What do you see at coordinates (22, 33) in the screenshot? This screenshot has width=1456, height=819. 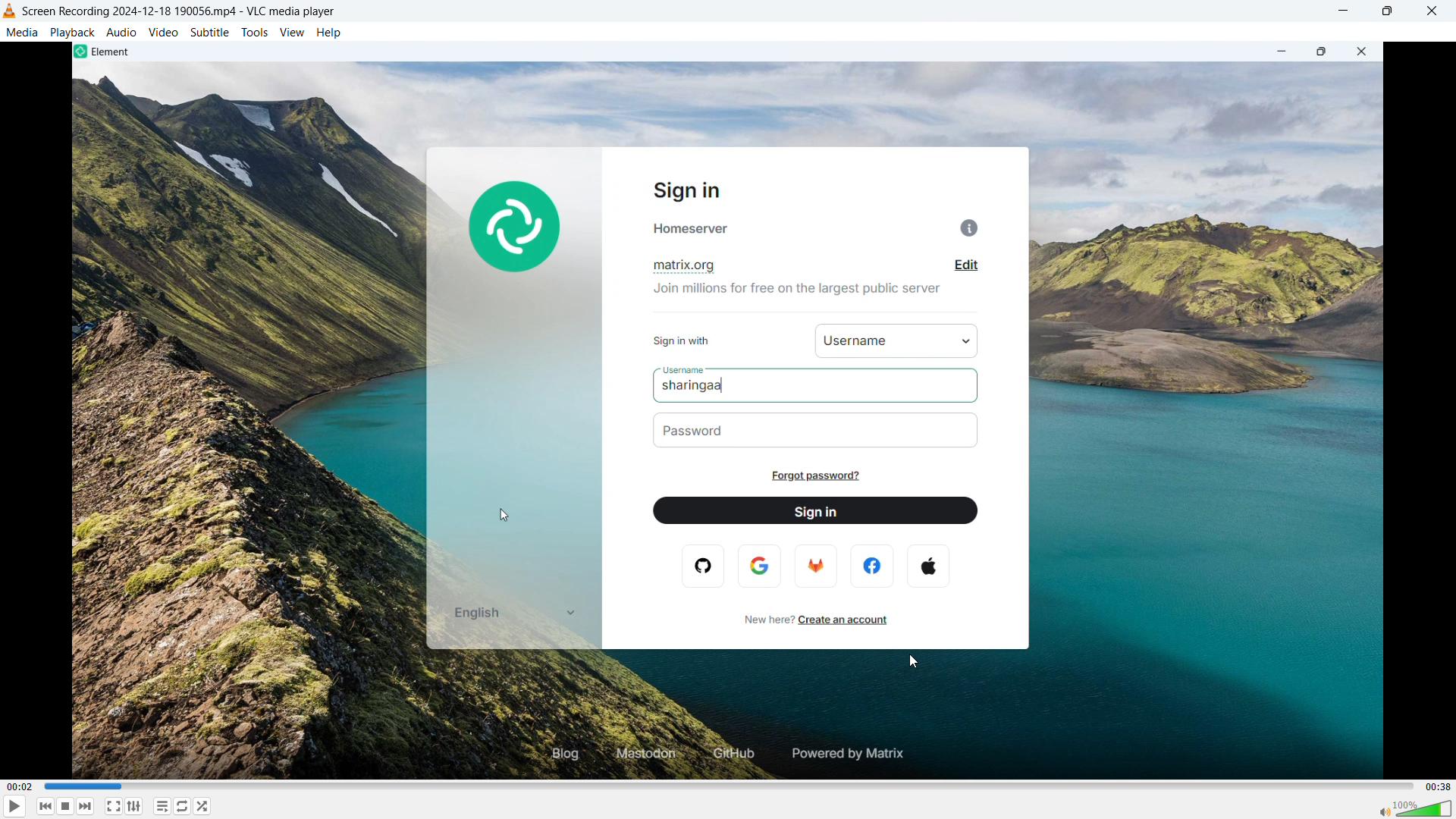 I see `Media ` at bounding box center [22, 33].